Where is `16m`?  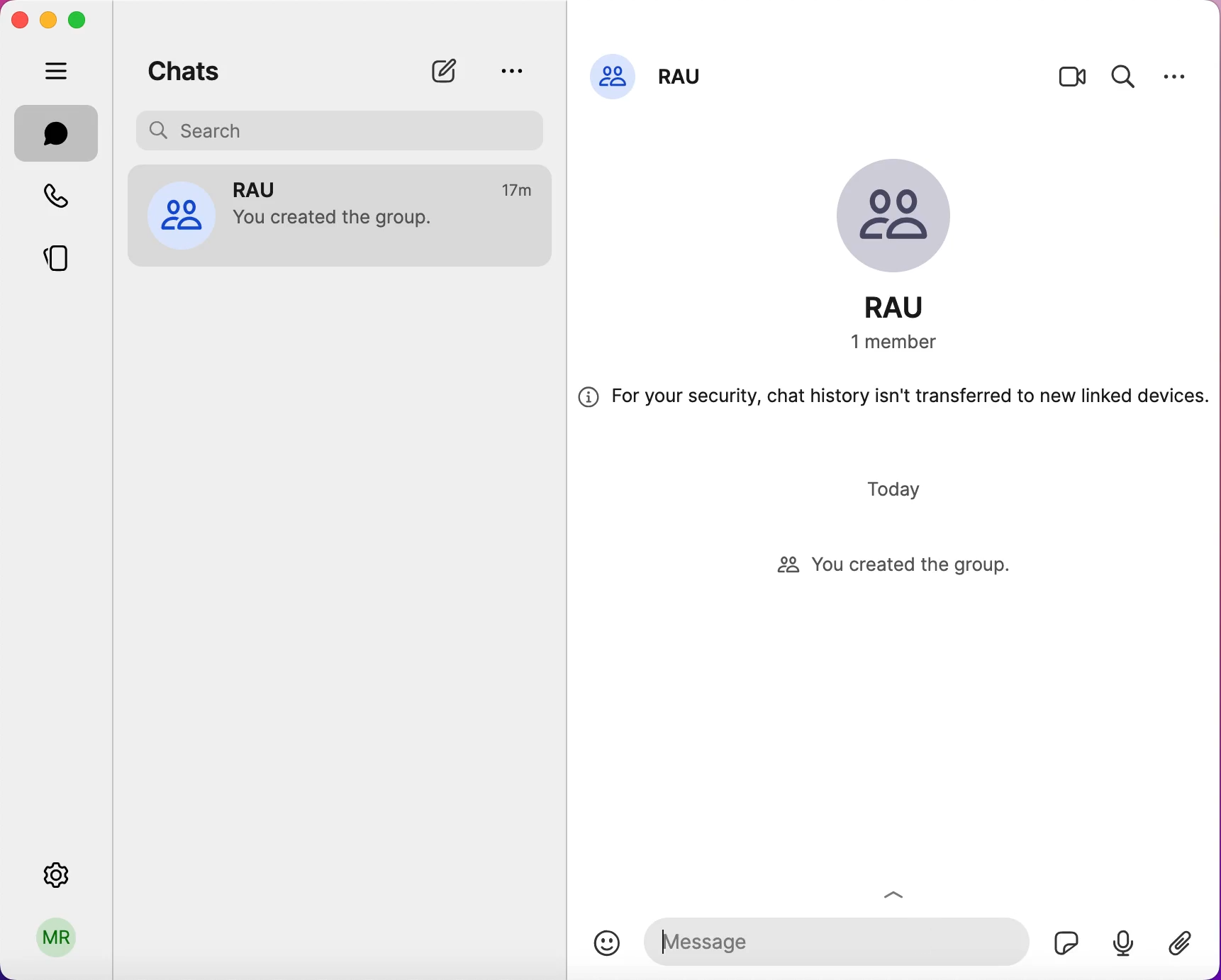
16m is located at coordinates (519, 191).